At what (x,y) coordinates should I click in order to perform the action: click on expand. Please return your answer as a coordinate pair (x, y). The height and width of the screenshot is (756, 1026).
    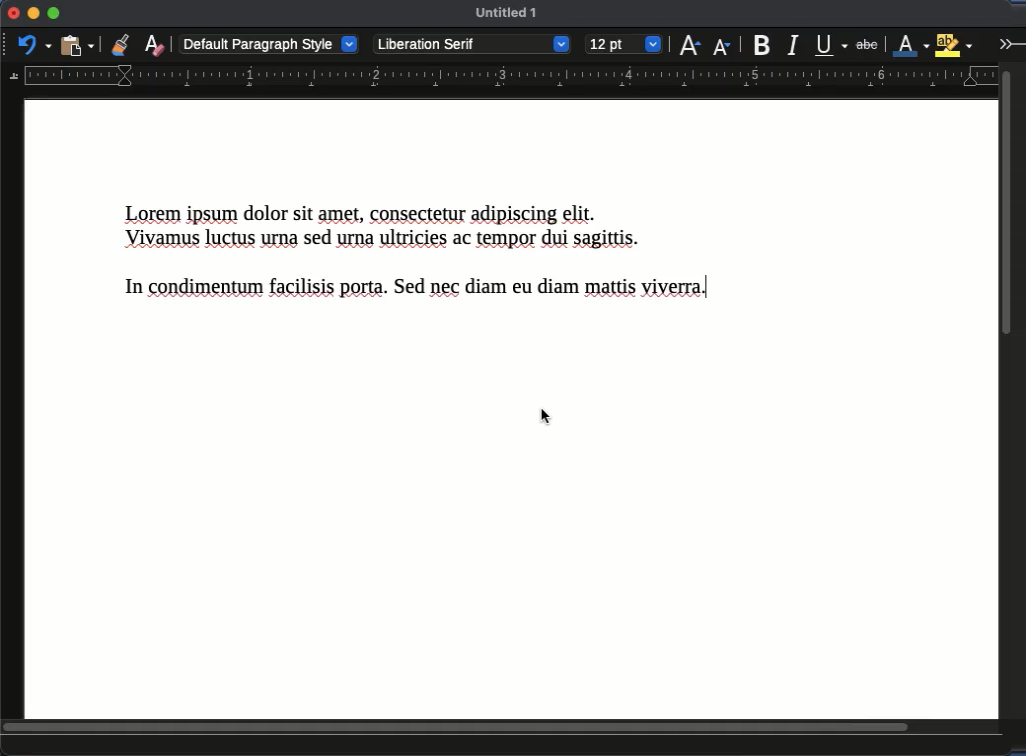
    Looking at the image, I should click on (1009, 43).